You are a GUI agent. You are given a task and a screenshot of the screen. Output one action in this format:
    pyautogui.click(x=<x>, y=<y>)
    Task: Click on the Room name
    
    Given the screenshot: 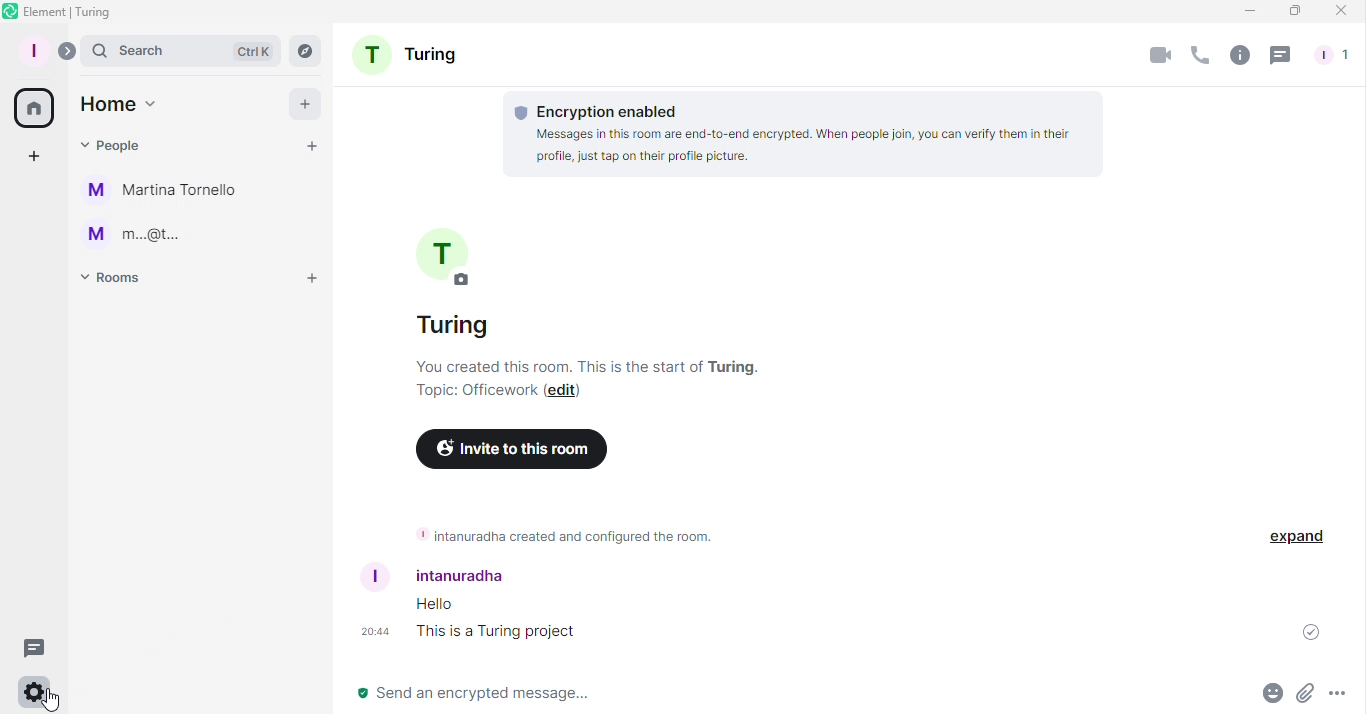 What is the action you would take?
    pyautogui.click(x=414, y=51)
    